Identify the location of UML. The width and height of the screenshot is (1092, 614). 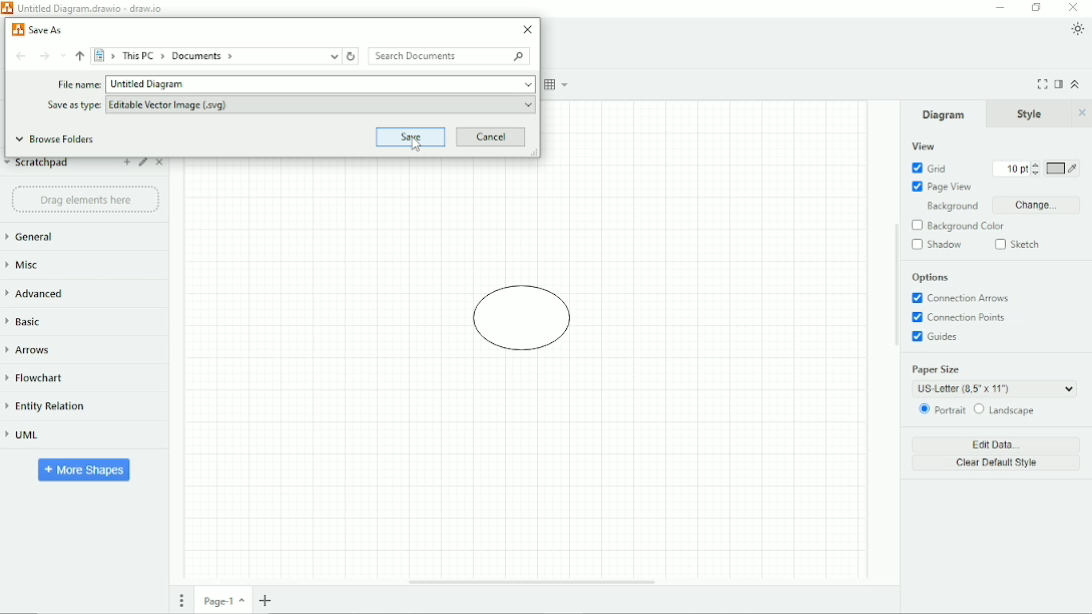
(24, 436).